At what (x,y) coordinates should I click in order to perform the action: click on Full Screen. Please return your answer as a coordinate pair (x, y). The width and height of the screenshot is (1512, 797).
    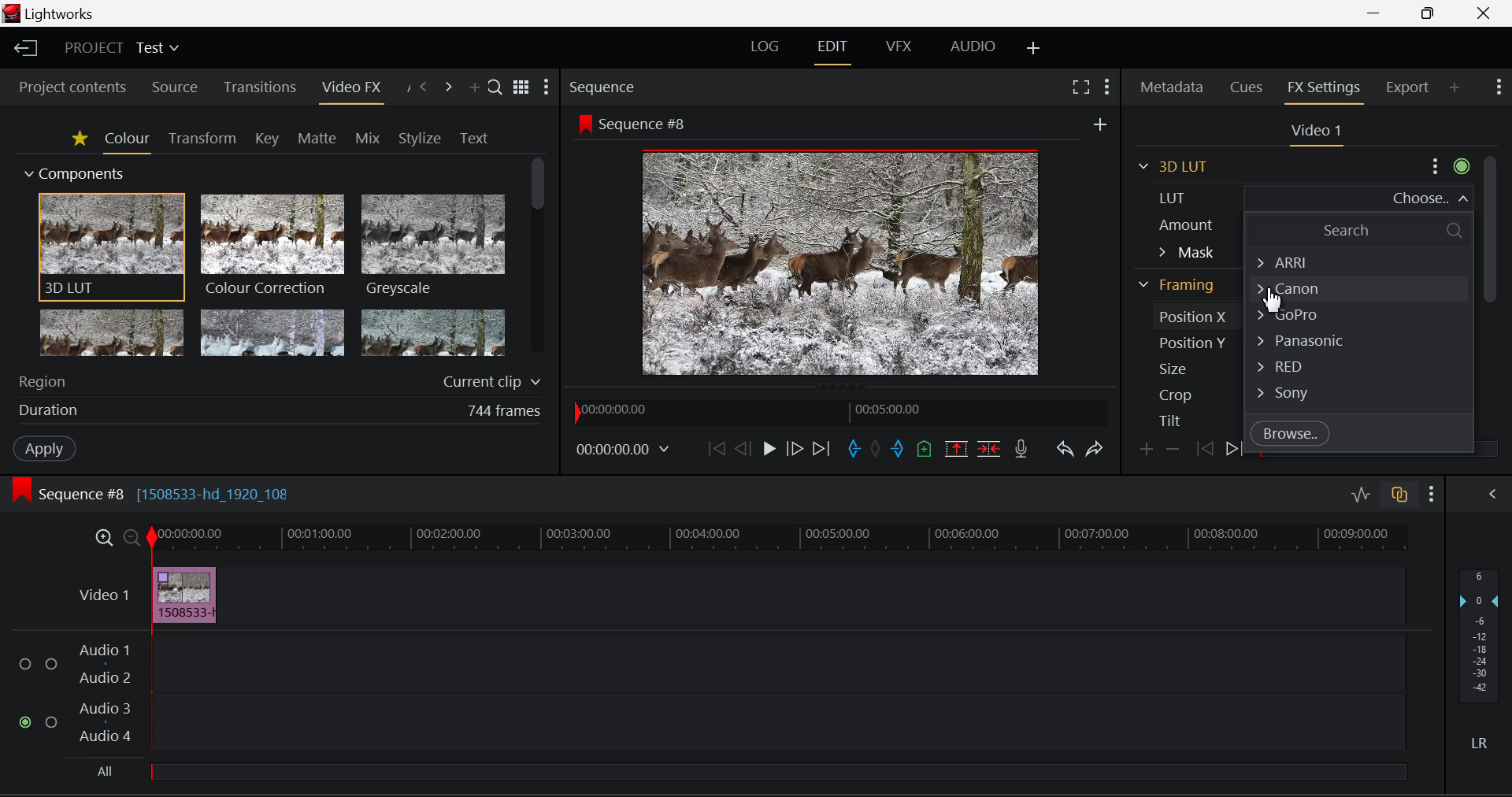
    Looking at the image, I should click on (1080, 86).